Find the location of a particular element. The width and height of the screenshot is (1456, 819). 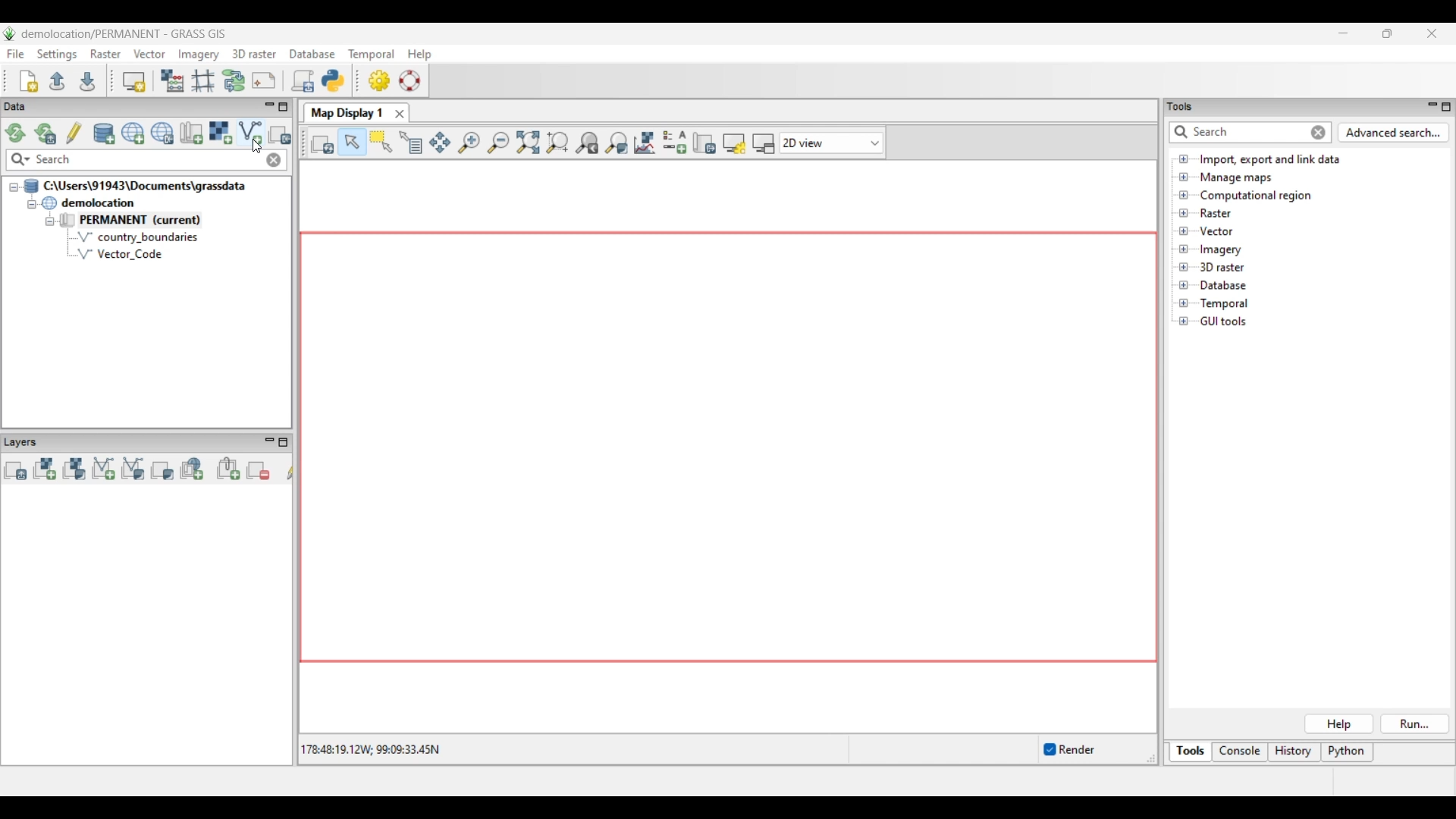

Temporal menu is located at coordinates (371, 55).